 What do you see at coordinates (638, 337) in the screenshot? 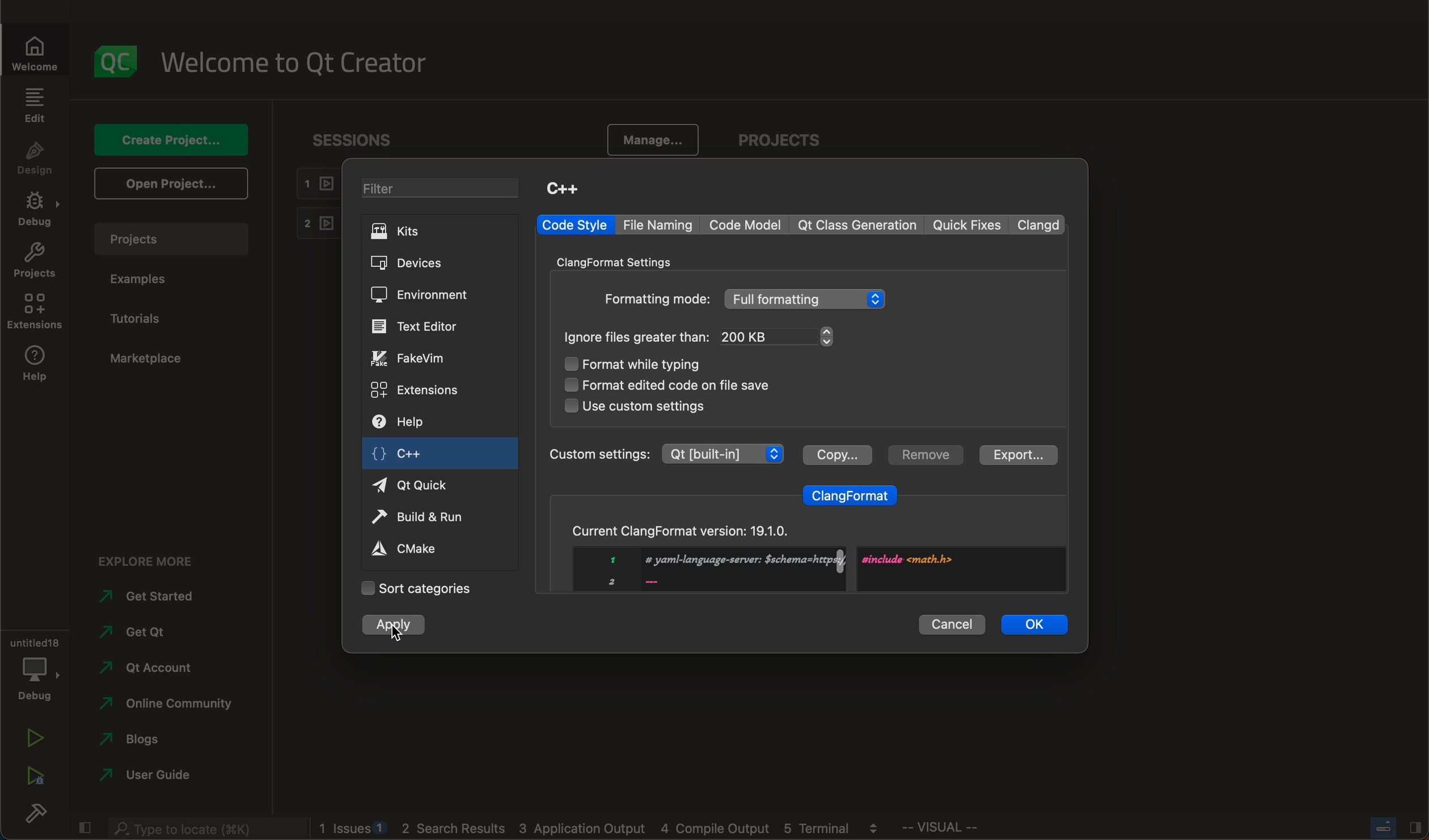
I see `ignore files` at bounding box center [638, 337].